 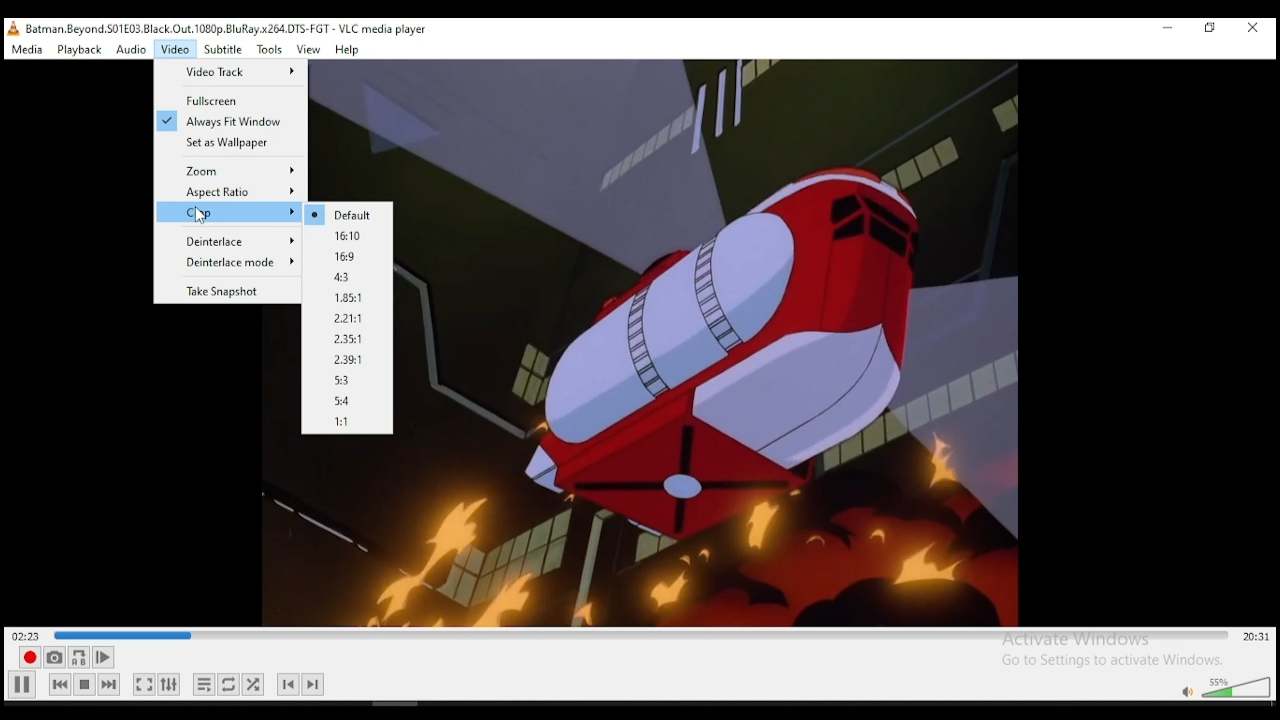 What do you see at coordinates (104, 658) in the screenshot?
I see `frame by frame` at bounding box center [104, 658].